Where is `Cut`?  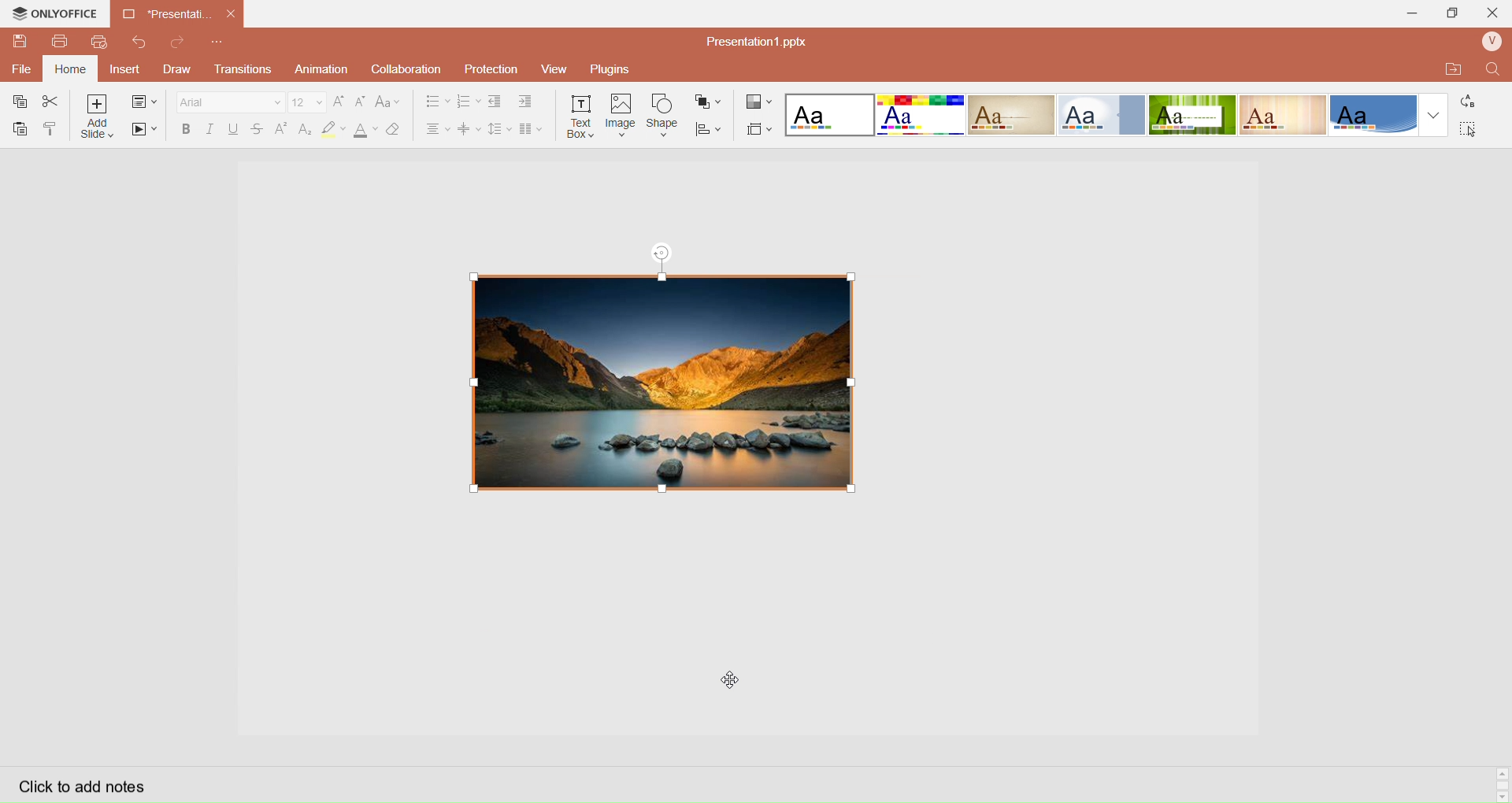
Cut is located at coordinates (49, 101).